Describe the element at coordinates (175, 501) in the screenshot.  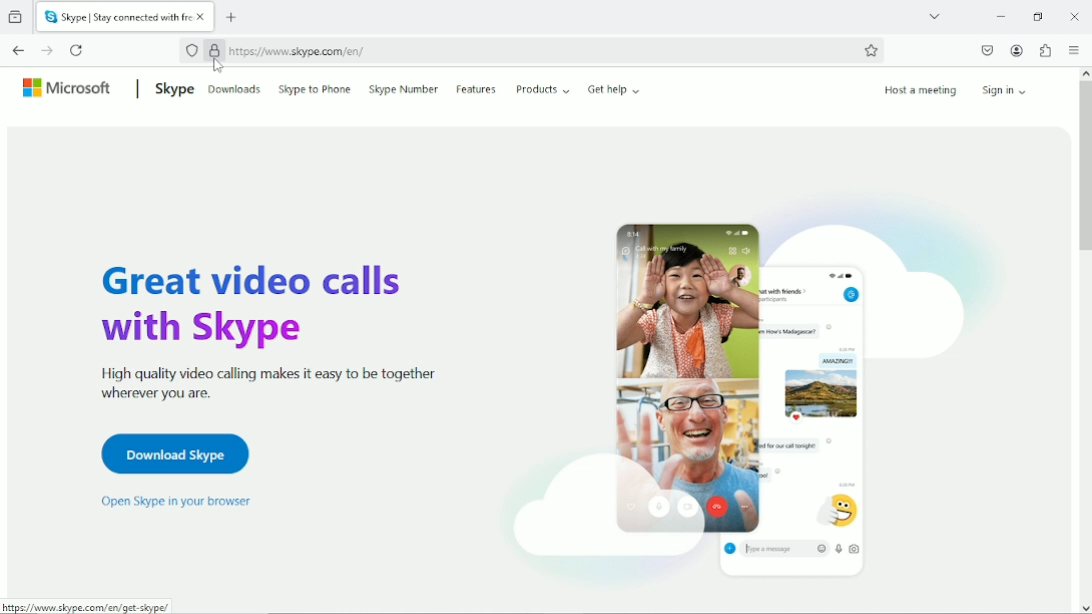
I see `open skype in your browser` at that location.